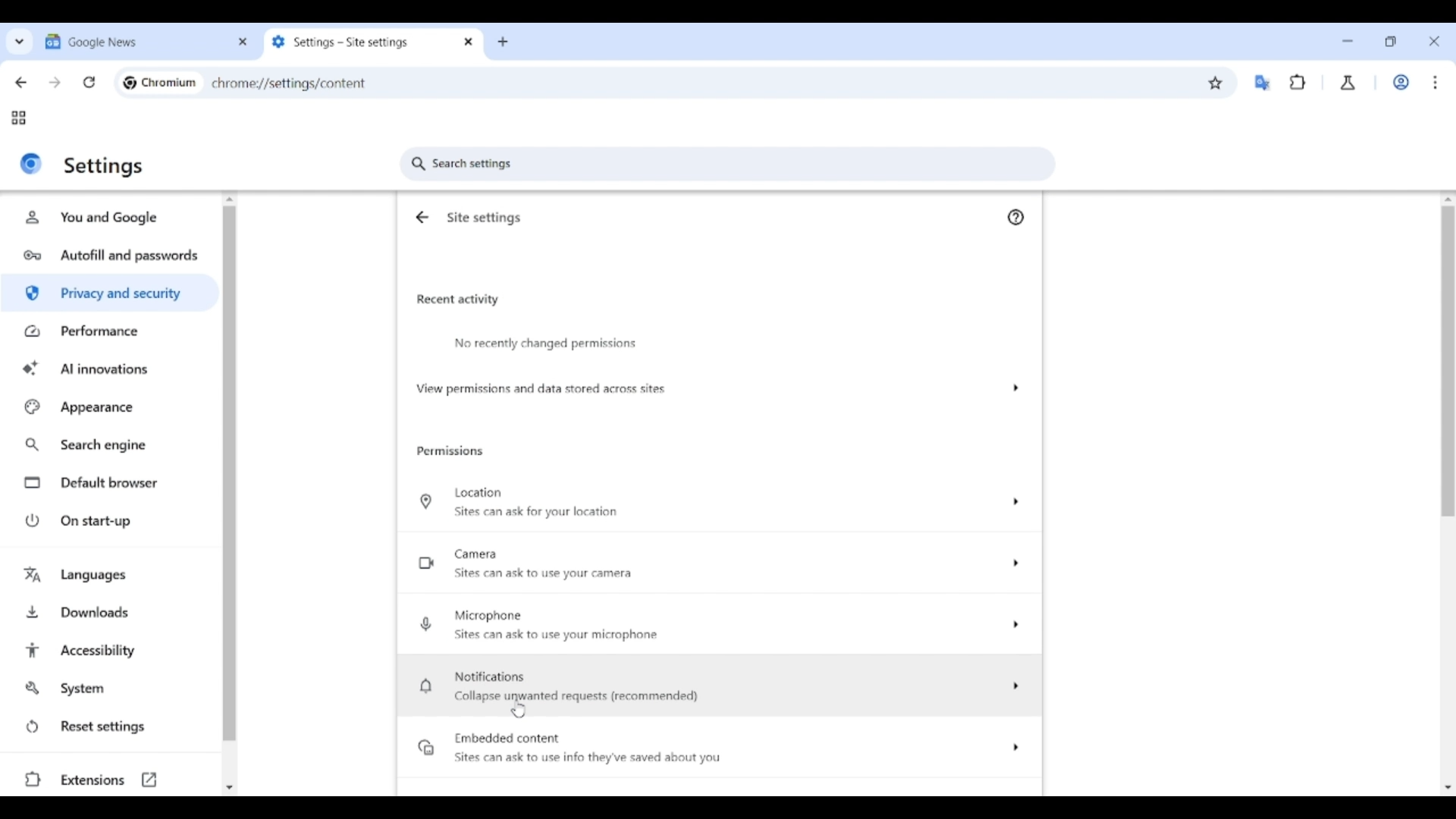 This screenshot has height=819, width=1456. I want to click on Default browser, so click(112, 483).